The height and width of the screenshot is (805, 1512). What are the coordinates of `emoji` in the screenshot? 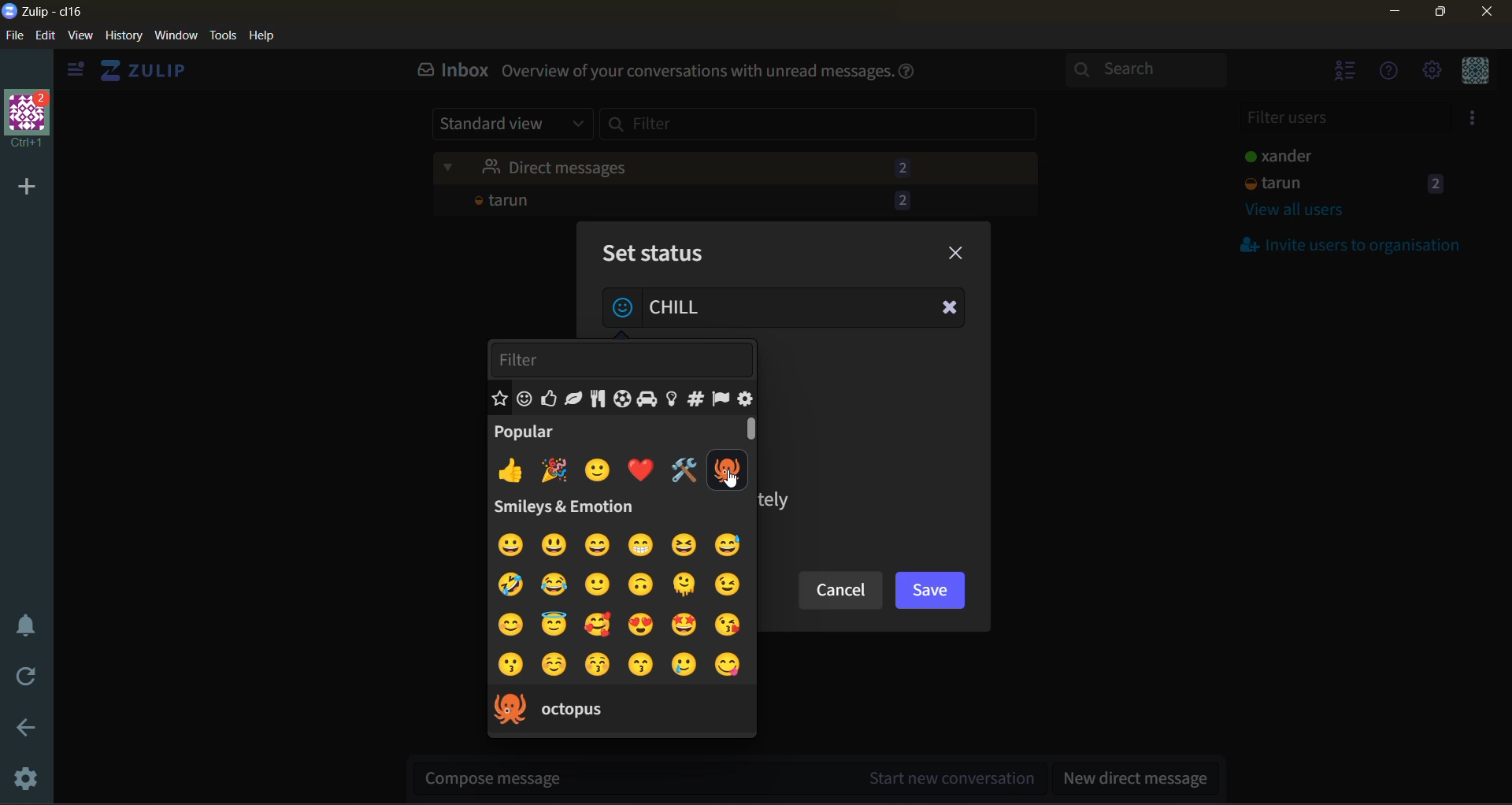 It's located at (639, 625).